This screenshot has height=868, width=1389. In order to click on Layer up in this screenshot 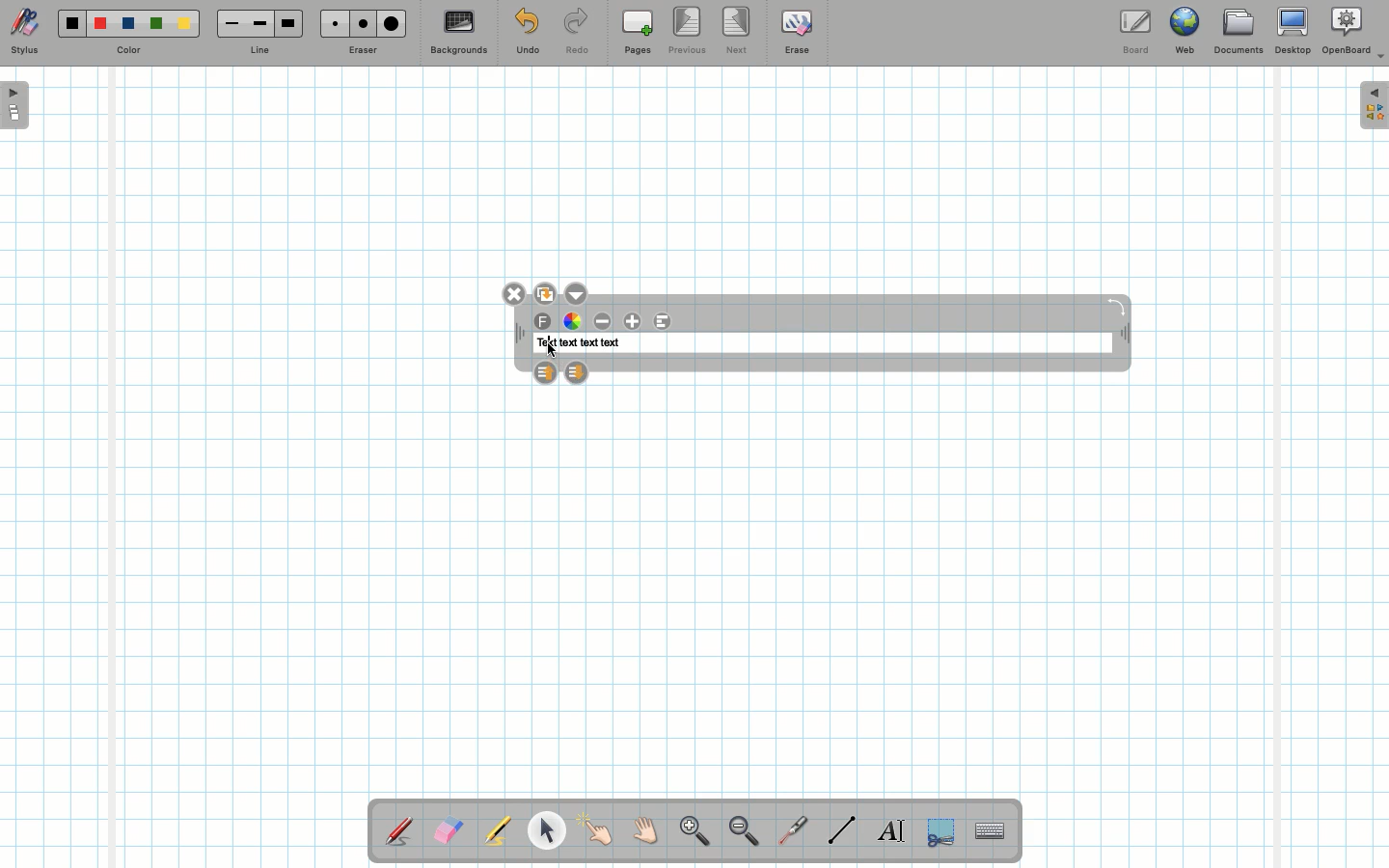, I will do `click(545, 370)`.